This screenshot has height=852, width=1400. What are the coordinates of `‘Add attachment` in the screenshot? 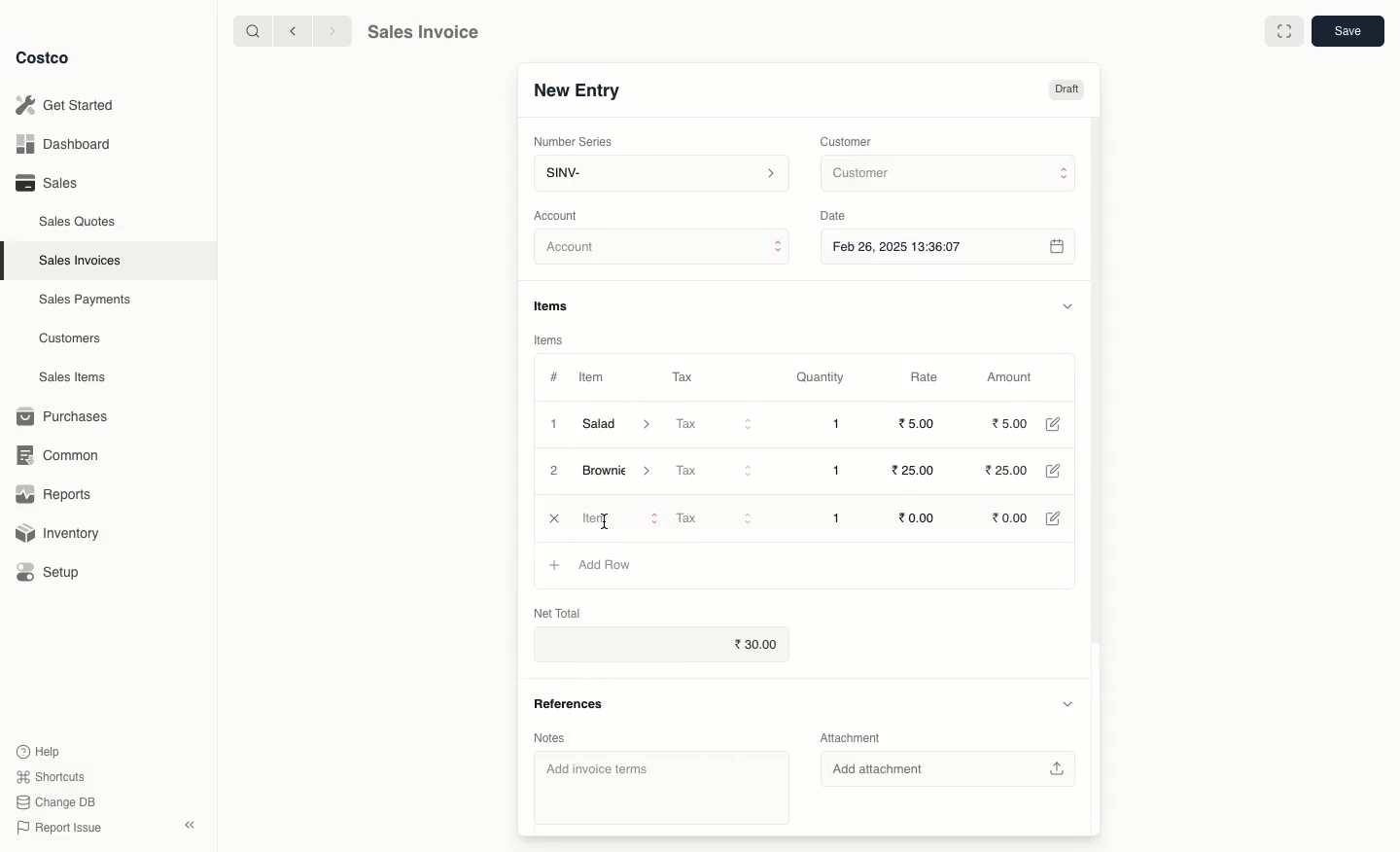 It's located at (951, 767).